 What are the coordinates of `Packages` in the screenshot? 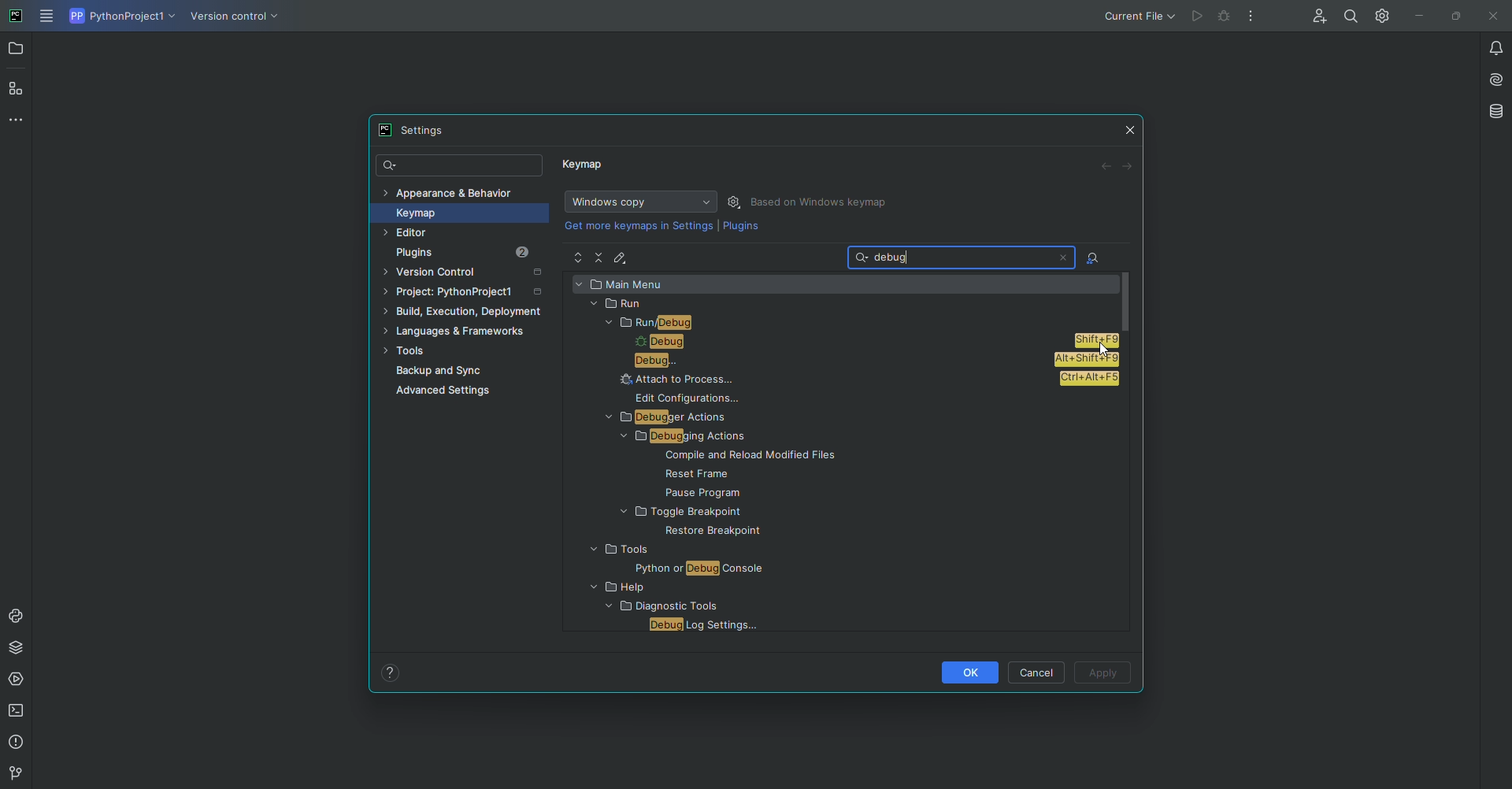 It's located at (20, 647).